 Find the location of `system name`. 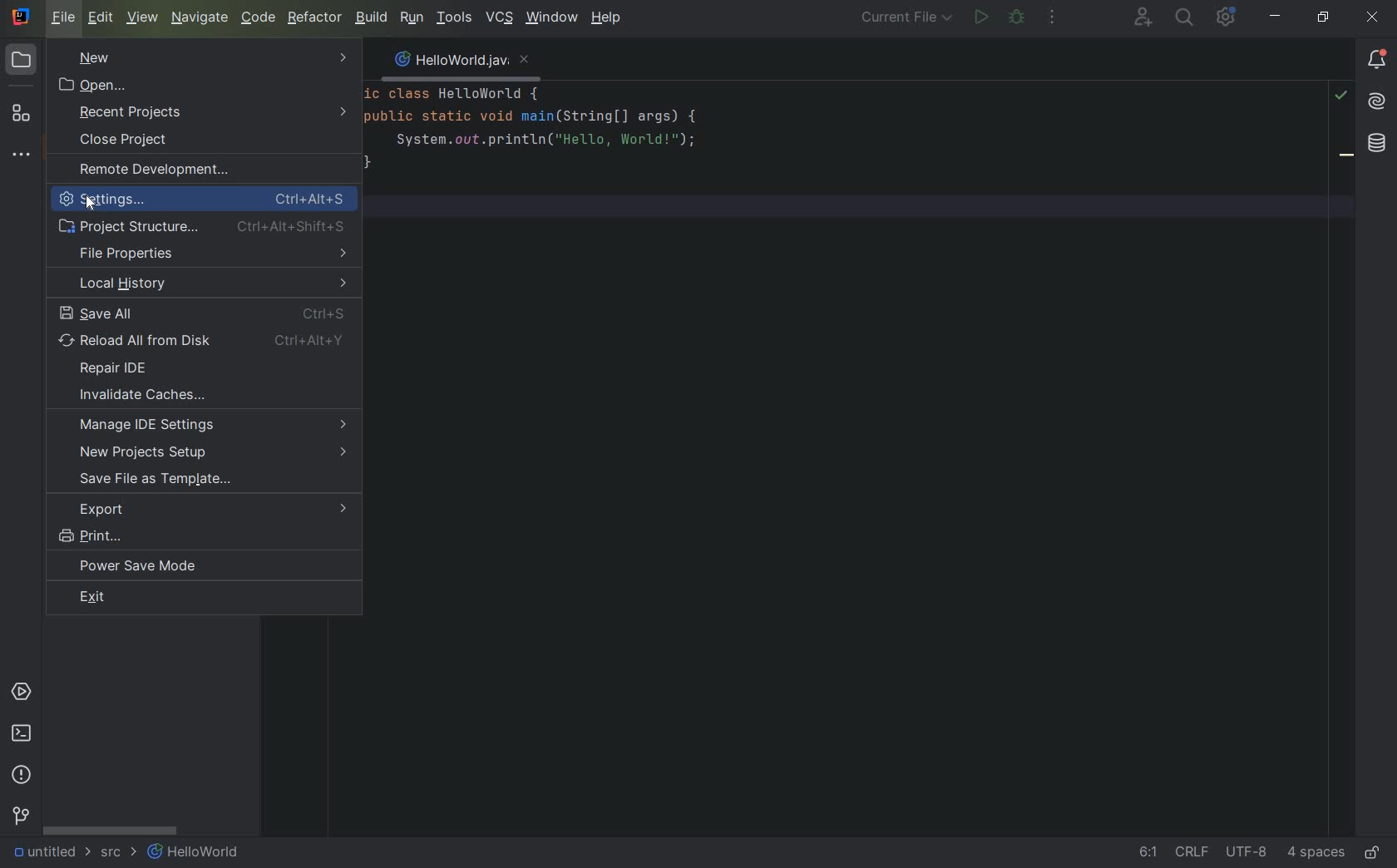

system name is located at coordinates (21, 17).